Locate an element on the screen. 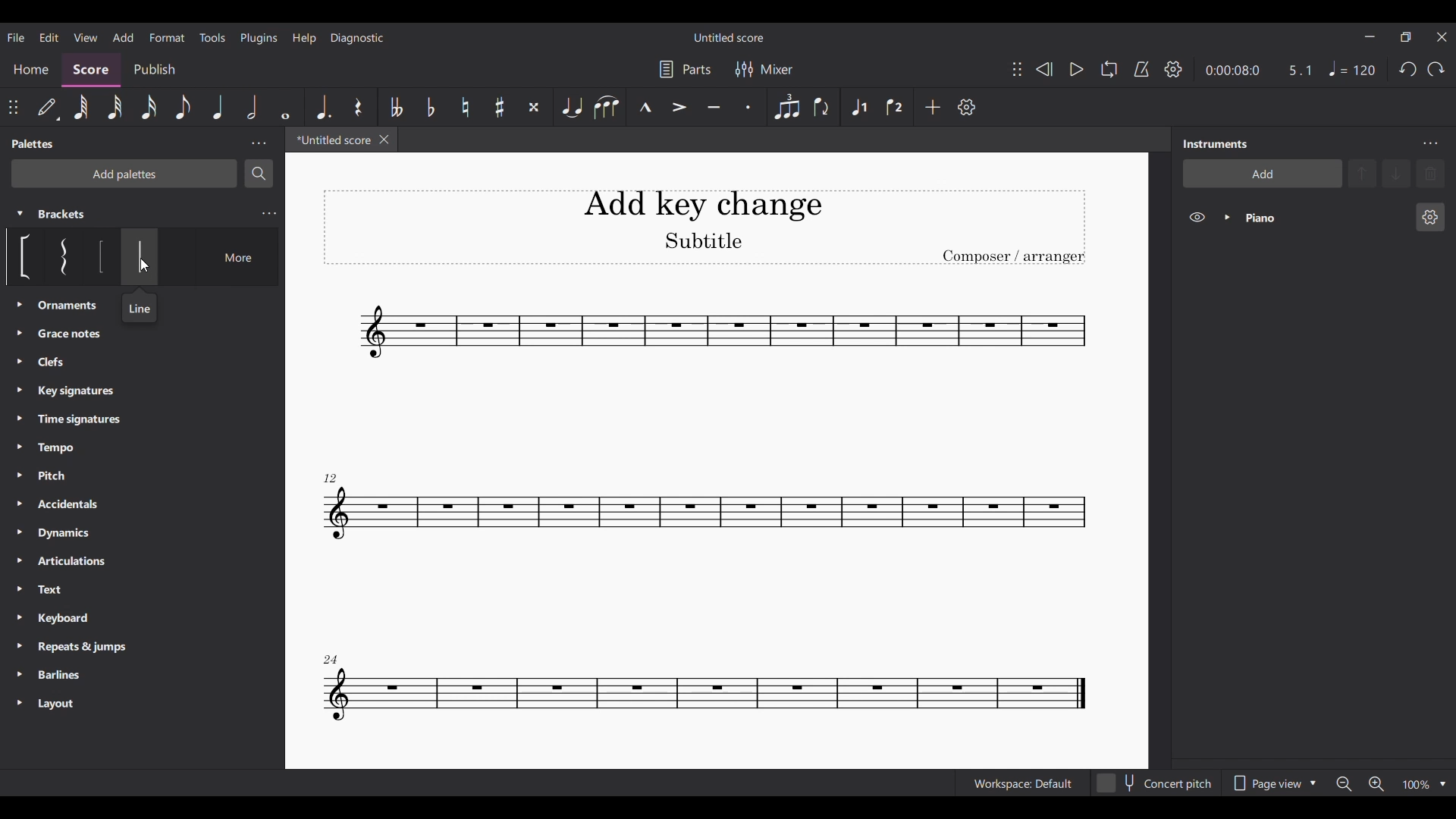 This screenshot has width=1456, height=819. File menu is located at coordinates (16, 37).